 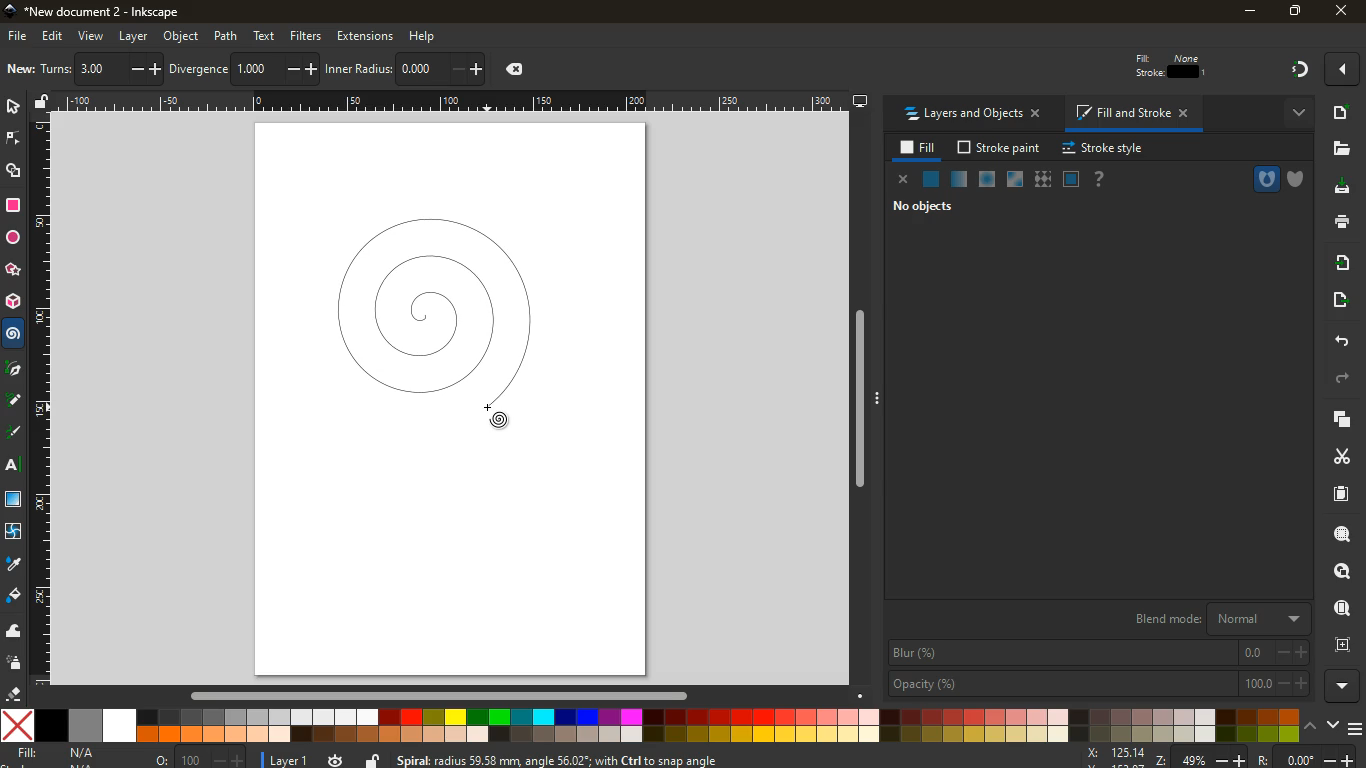 What do you see at coordinates (15, 240) in the screenshot?
I see `circle` at bounding box center [15, 240].